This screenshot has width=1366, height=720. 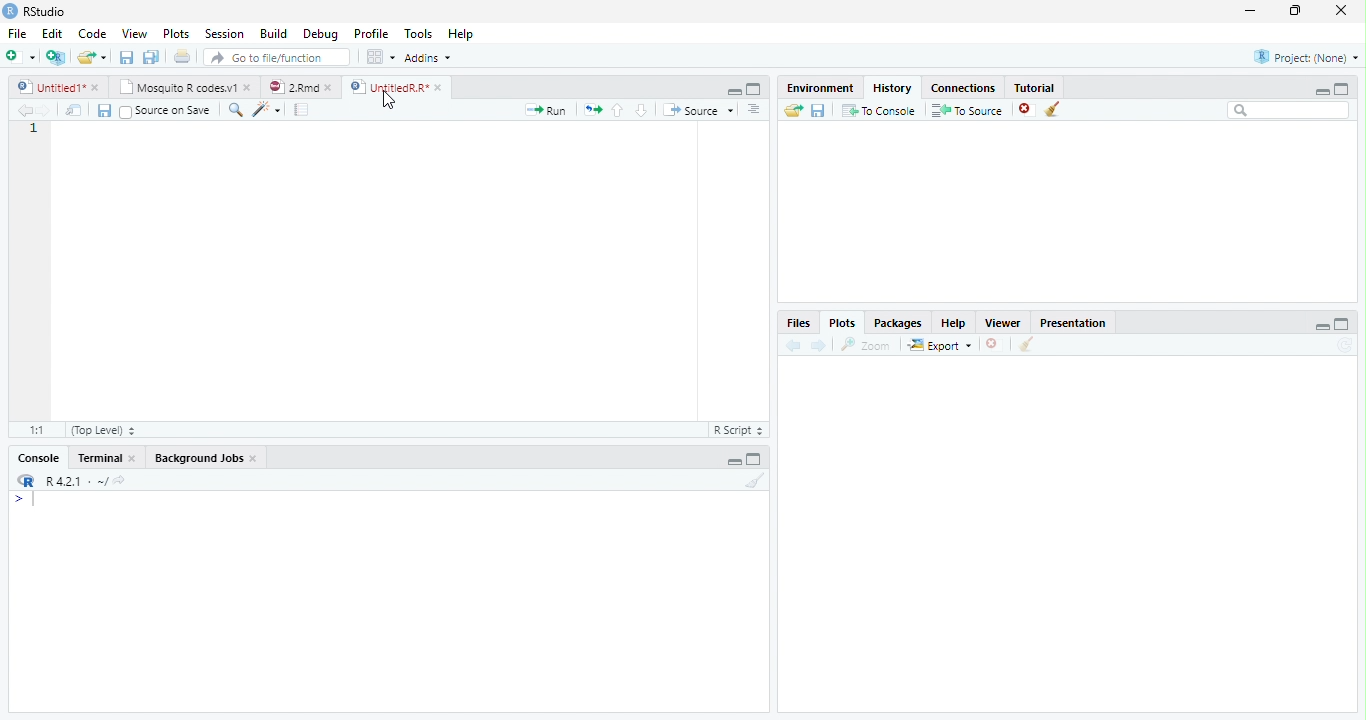 What do you see at coordinates (94, 57) in the screenshot?
I see `Open an existing file` at bounding box center [94, 57].